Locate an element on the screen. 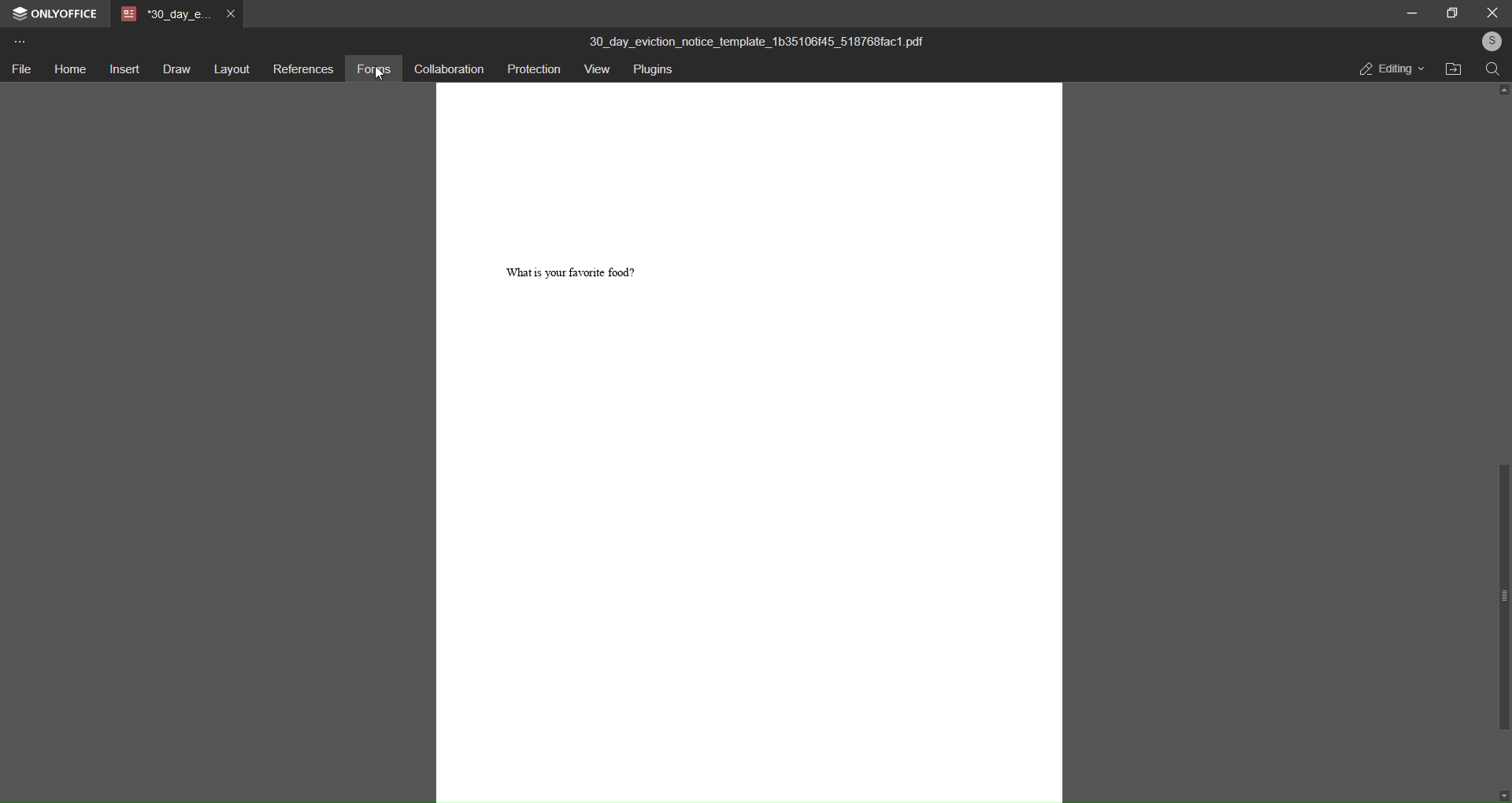 This screenshot has width=1512, height=803. plugins is located at coordinates (653, 70).